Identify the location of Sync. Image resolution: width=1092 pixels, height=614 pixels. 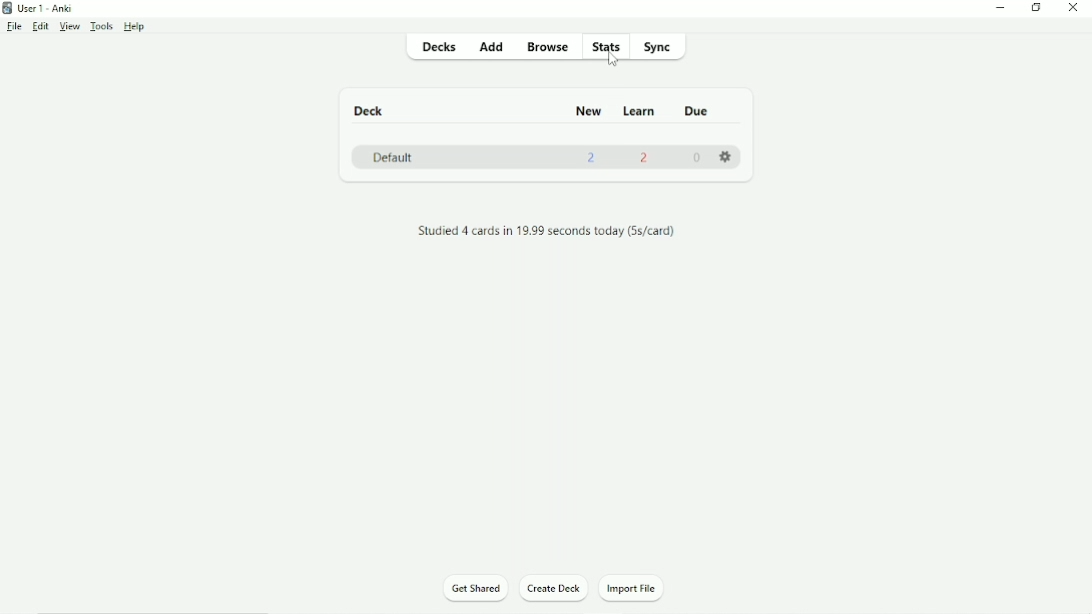
(662, 47).